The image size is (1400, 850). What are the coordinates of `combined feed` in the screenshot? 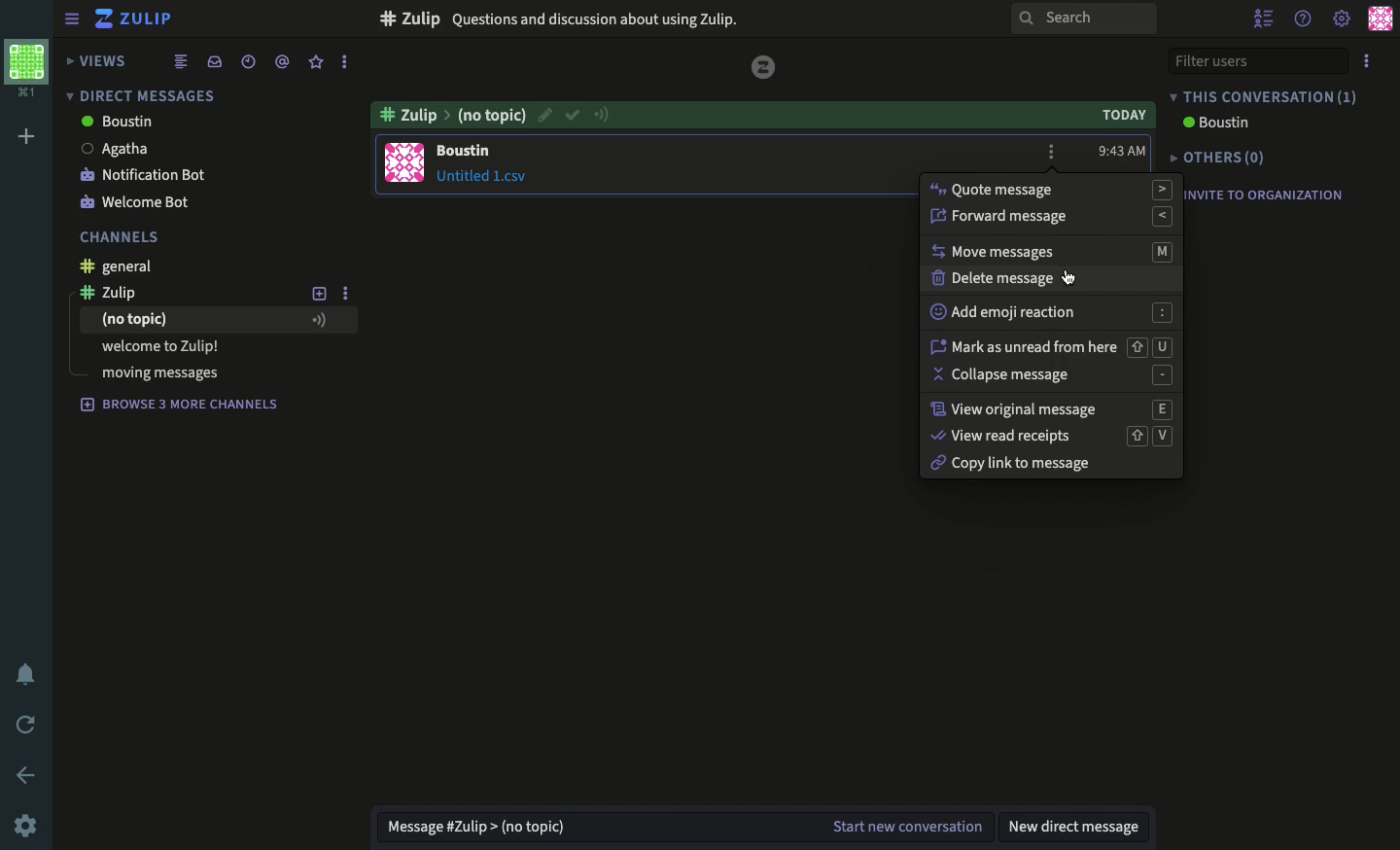 It's located at (181, 62).